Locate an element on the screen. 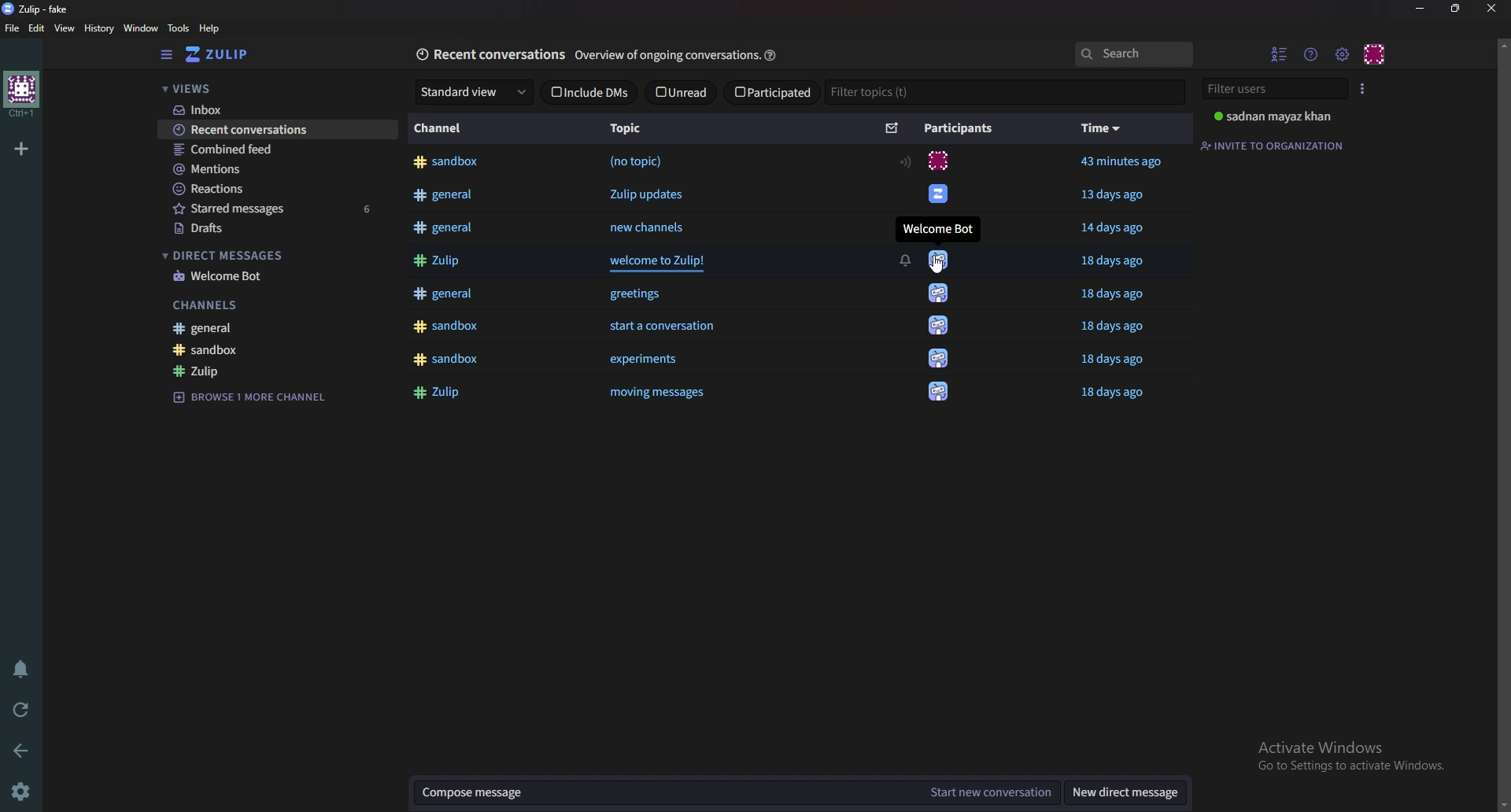 This screenshot has width=1511, height=812. icon is located at coordinates (937, 394).